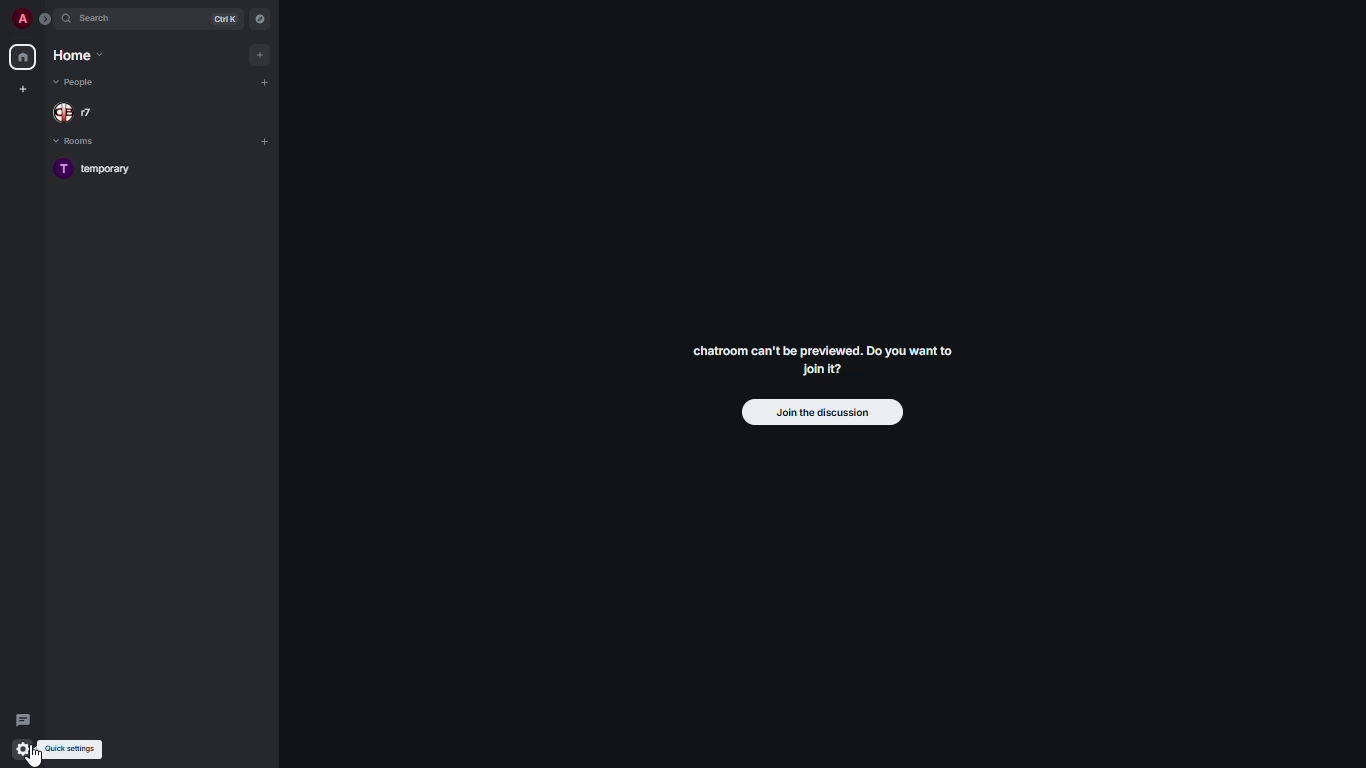 The width and height of the screenshot is (1366, 768). Describe the element at coordinates (226, 18) in the screenshot. I see `ctrl K` at that location.